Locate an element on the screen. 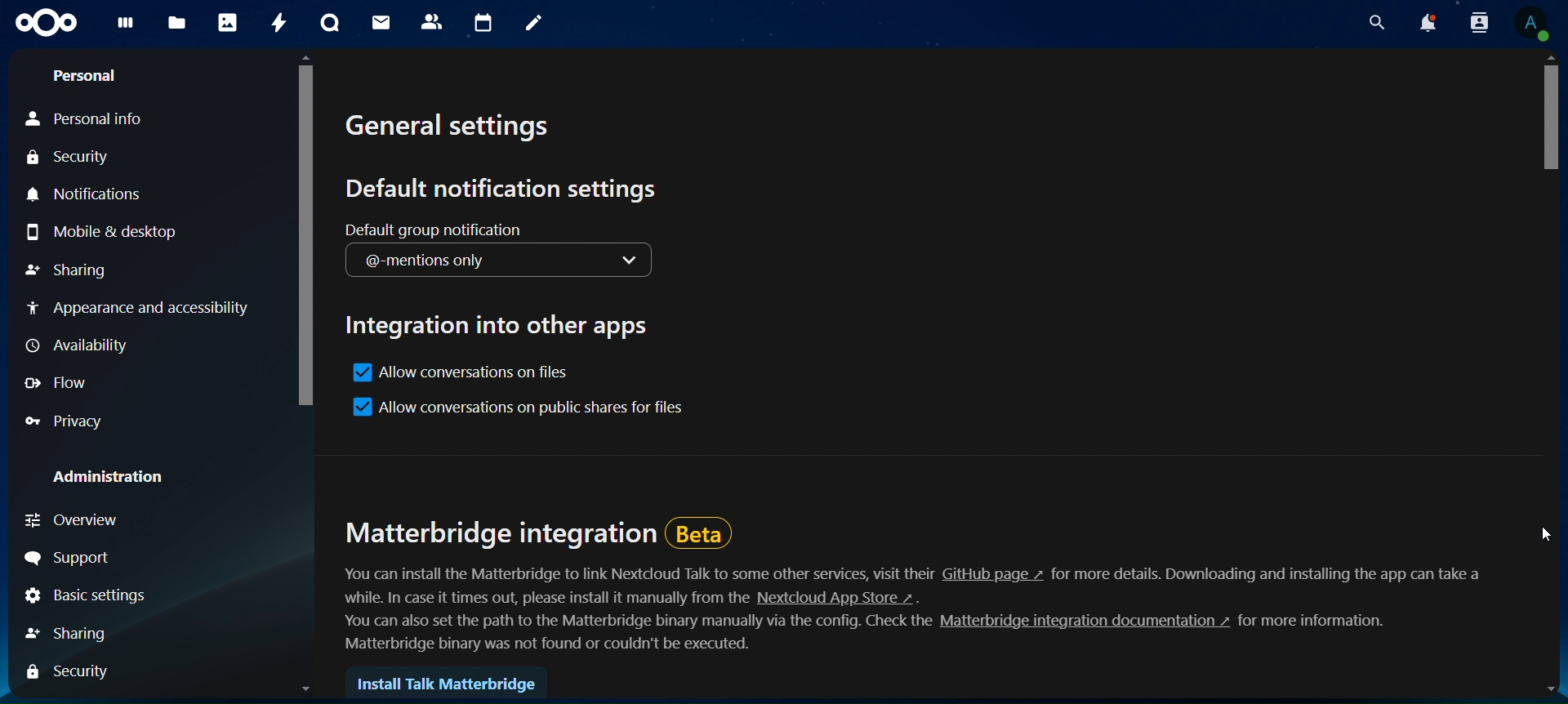  contacts is located at coordinates (433, 21).